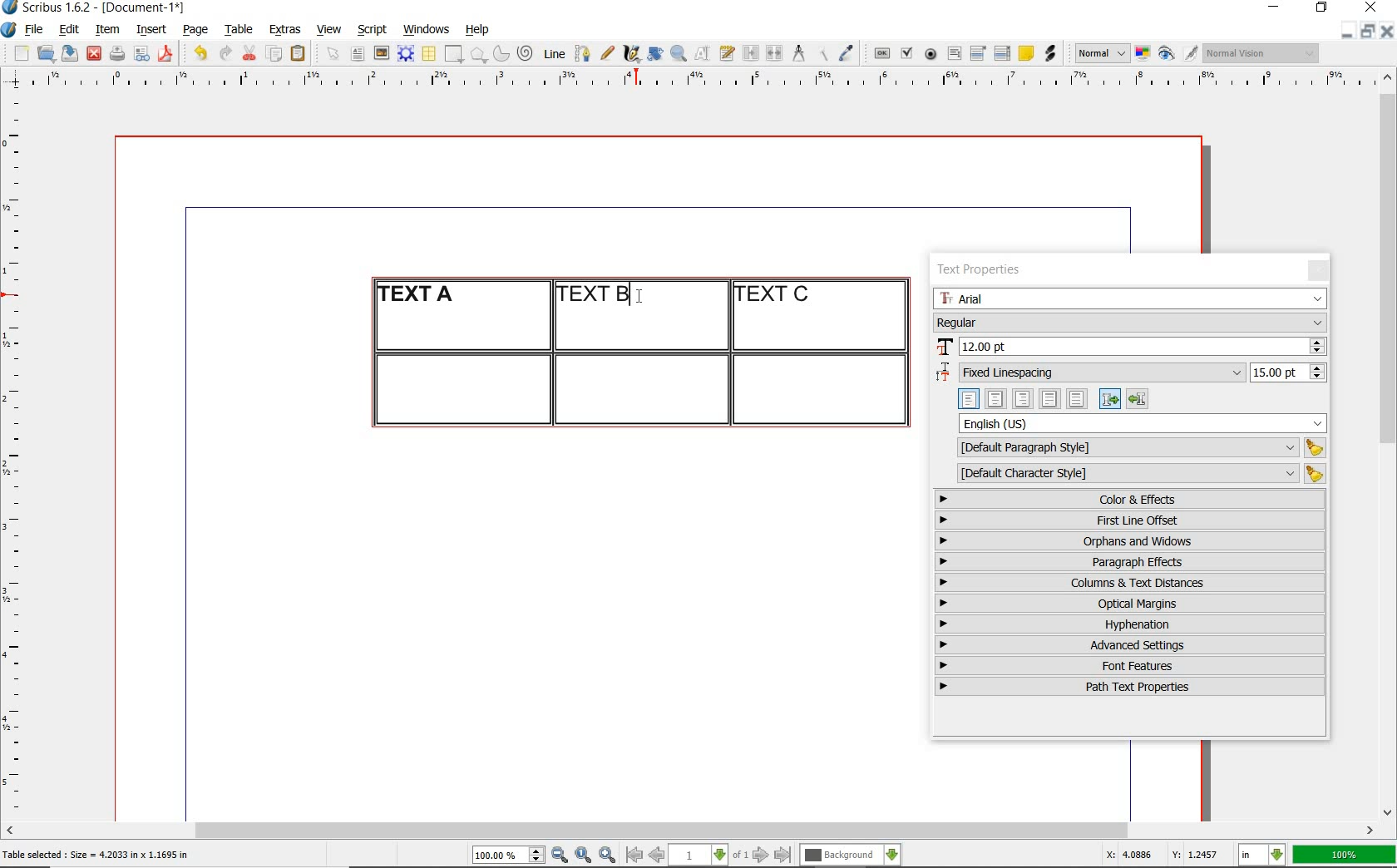 The width and height of the screenshot is (1397, 868). Describe the element at coordinates (1130, 624) in the screenshot. I see `hyphenation` at that location.